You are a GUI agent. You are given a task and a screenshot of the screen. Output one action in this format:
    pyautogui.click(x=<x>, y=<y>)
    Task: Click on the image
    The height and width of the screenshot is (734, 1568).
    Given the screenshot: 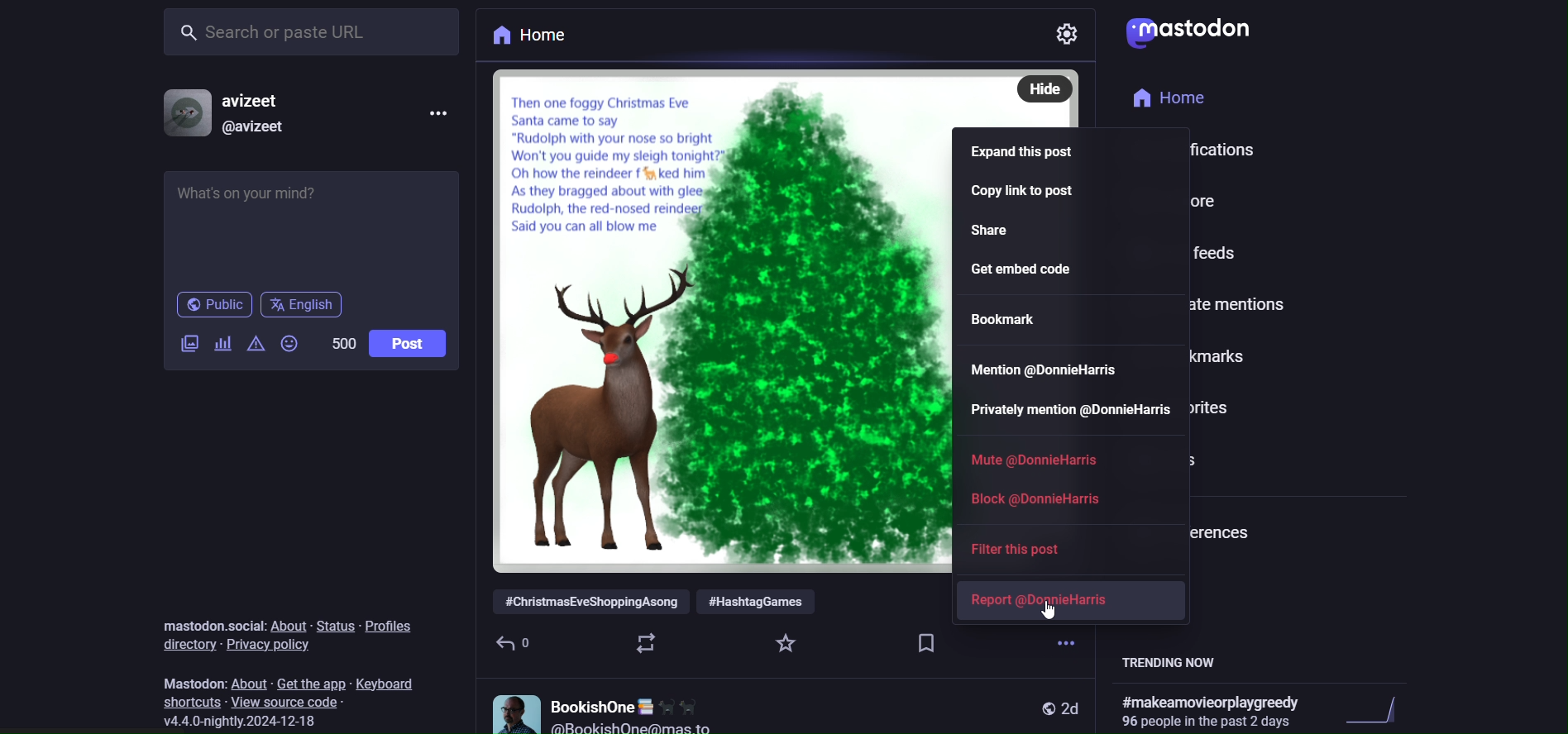 What is the action you would take?
    pyautogui.click(x=716, y=317)
    